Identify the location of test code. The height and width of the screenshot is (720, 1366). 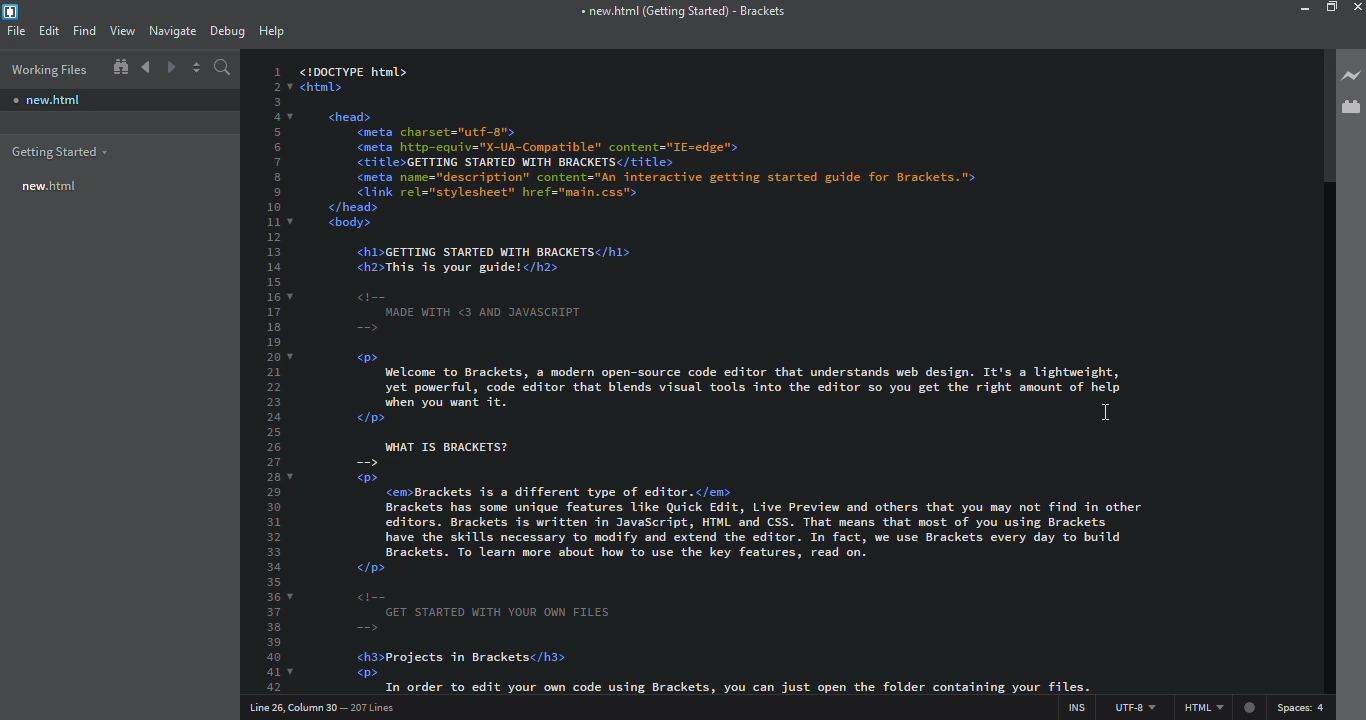
(725, 230).